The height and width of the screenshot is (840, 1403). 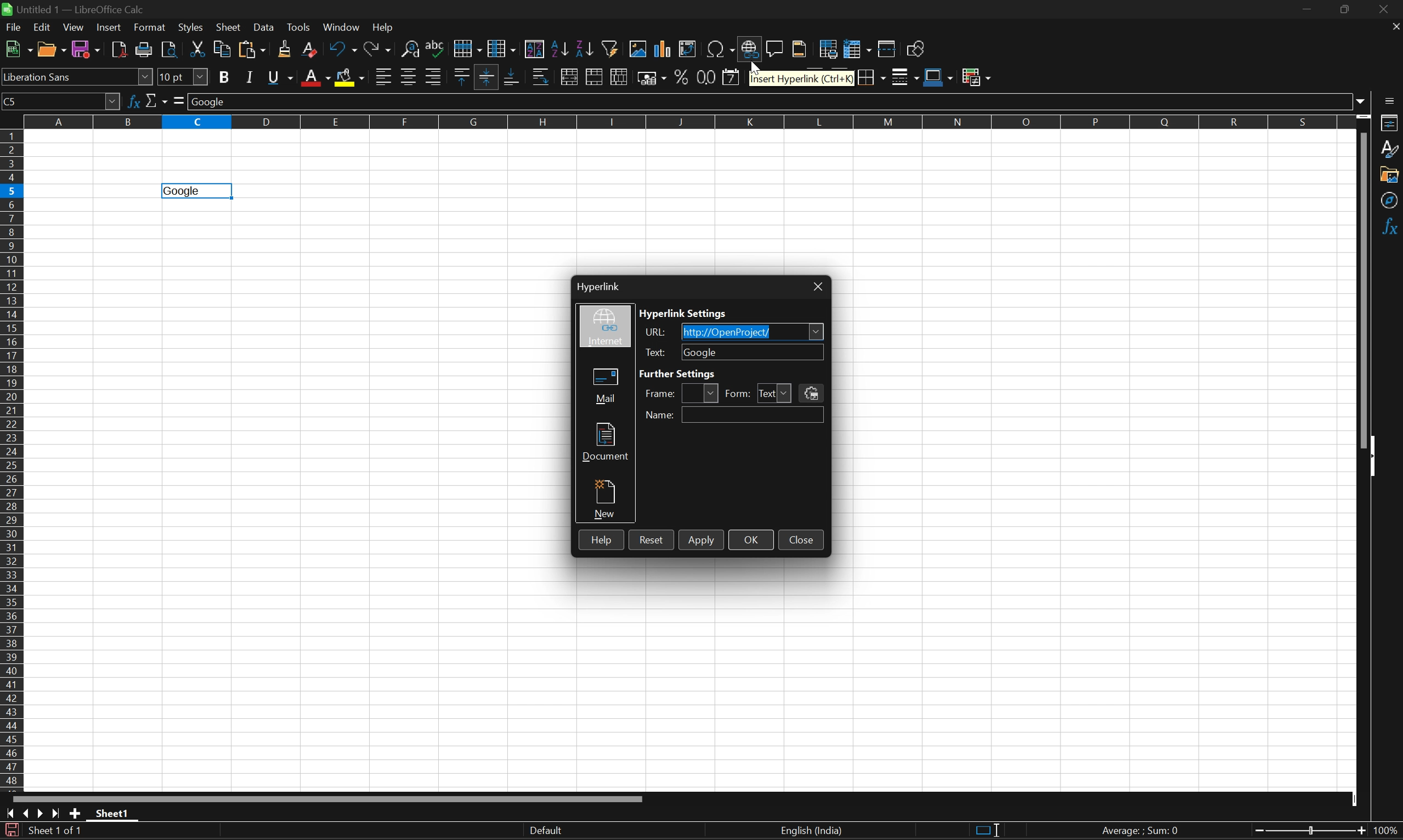 I want to click on Close, so click(x=1387, y=10).